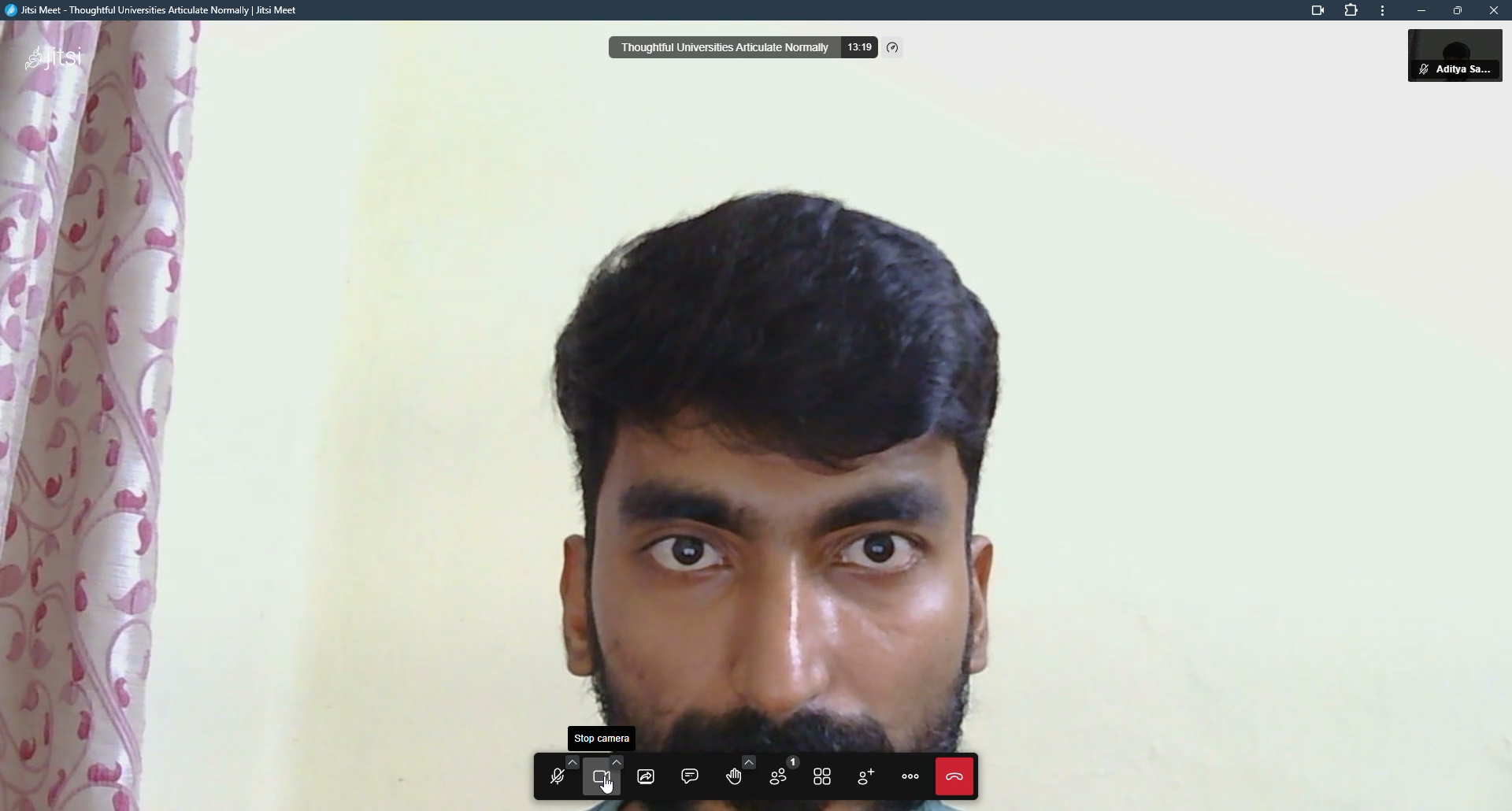  What do you see at coordinates (800, 416) in the screenshot?
I see `camera turned on` at bounding box center [800, 416].